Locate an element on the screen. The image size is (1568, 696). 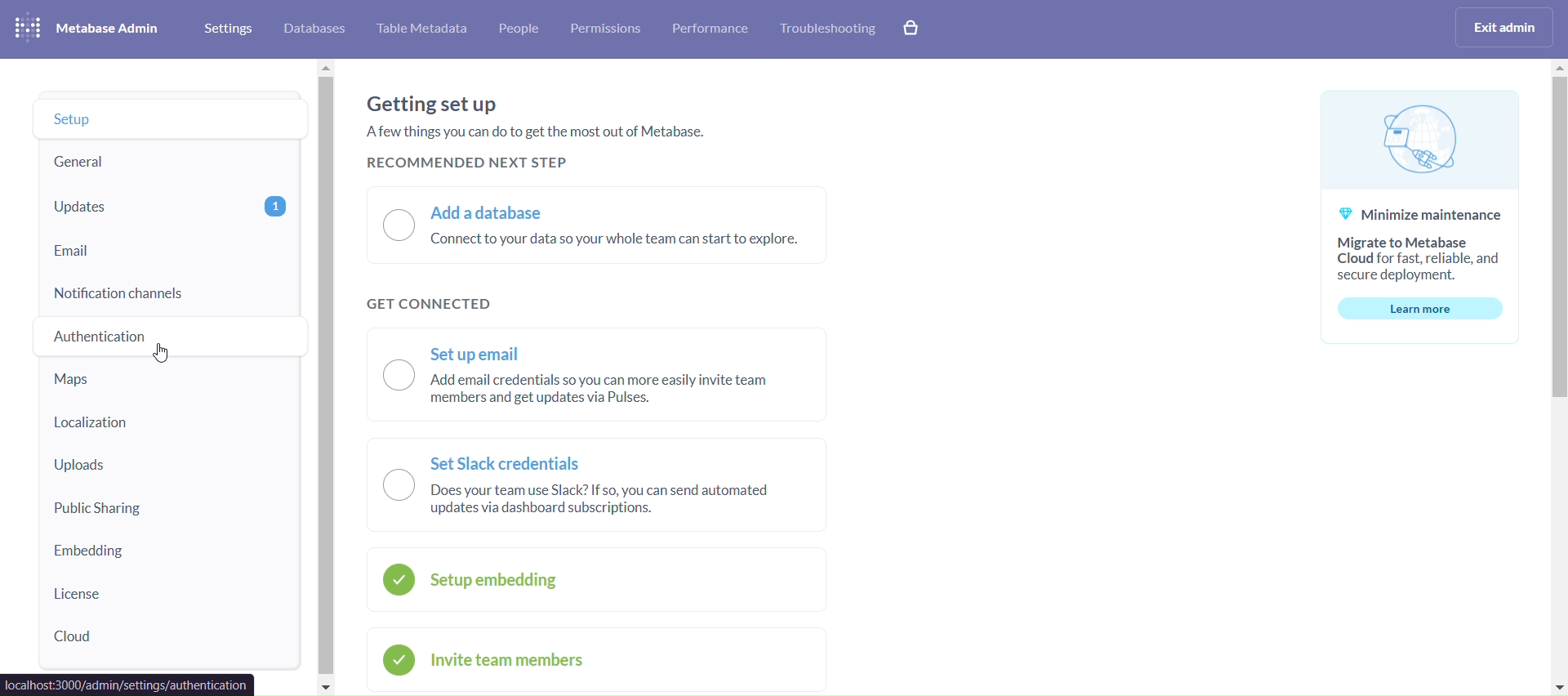
vertical scroll bar is located at coordinates (1557, 376).